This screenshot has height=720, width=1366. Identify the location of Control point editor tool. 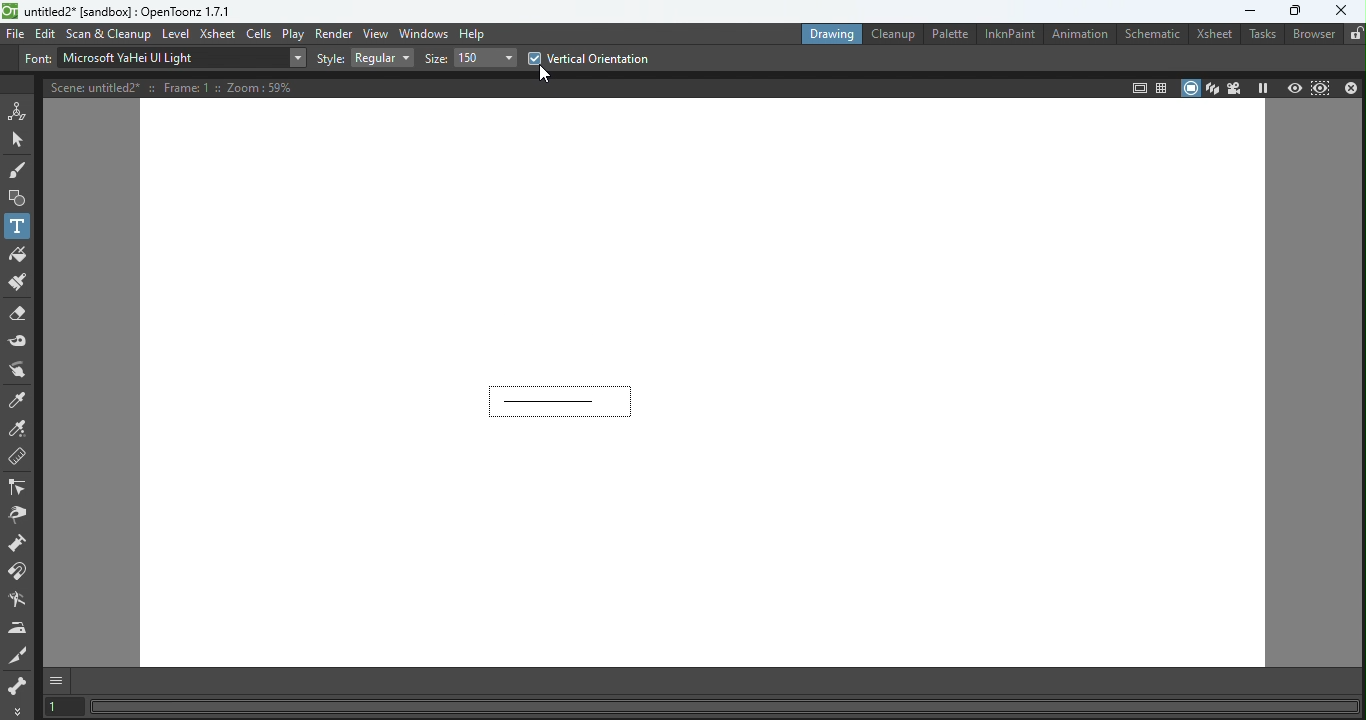
(17, 485).